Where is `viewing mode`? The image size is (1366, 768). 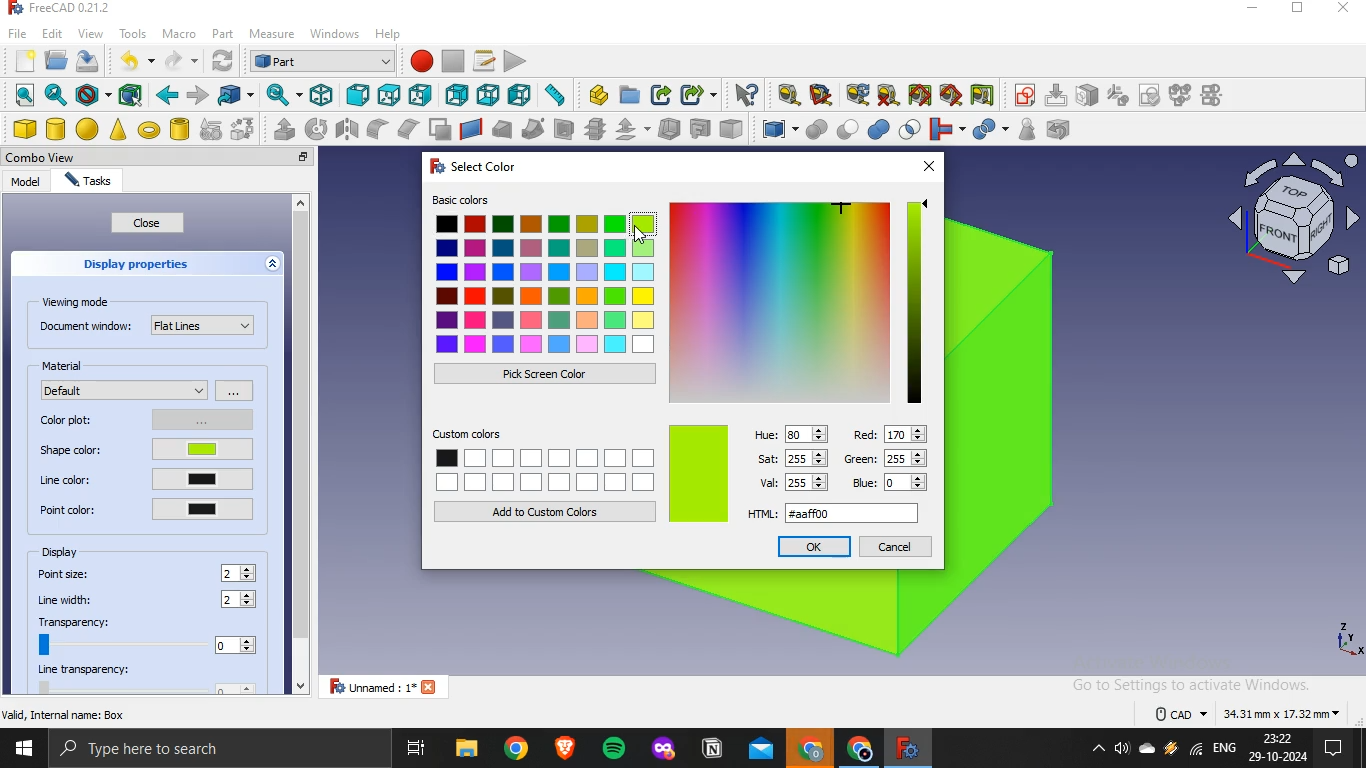
viewing mode is located at coordinates (79, 301).